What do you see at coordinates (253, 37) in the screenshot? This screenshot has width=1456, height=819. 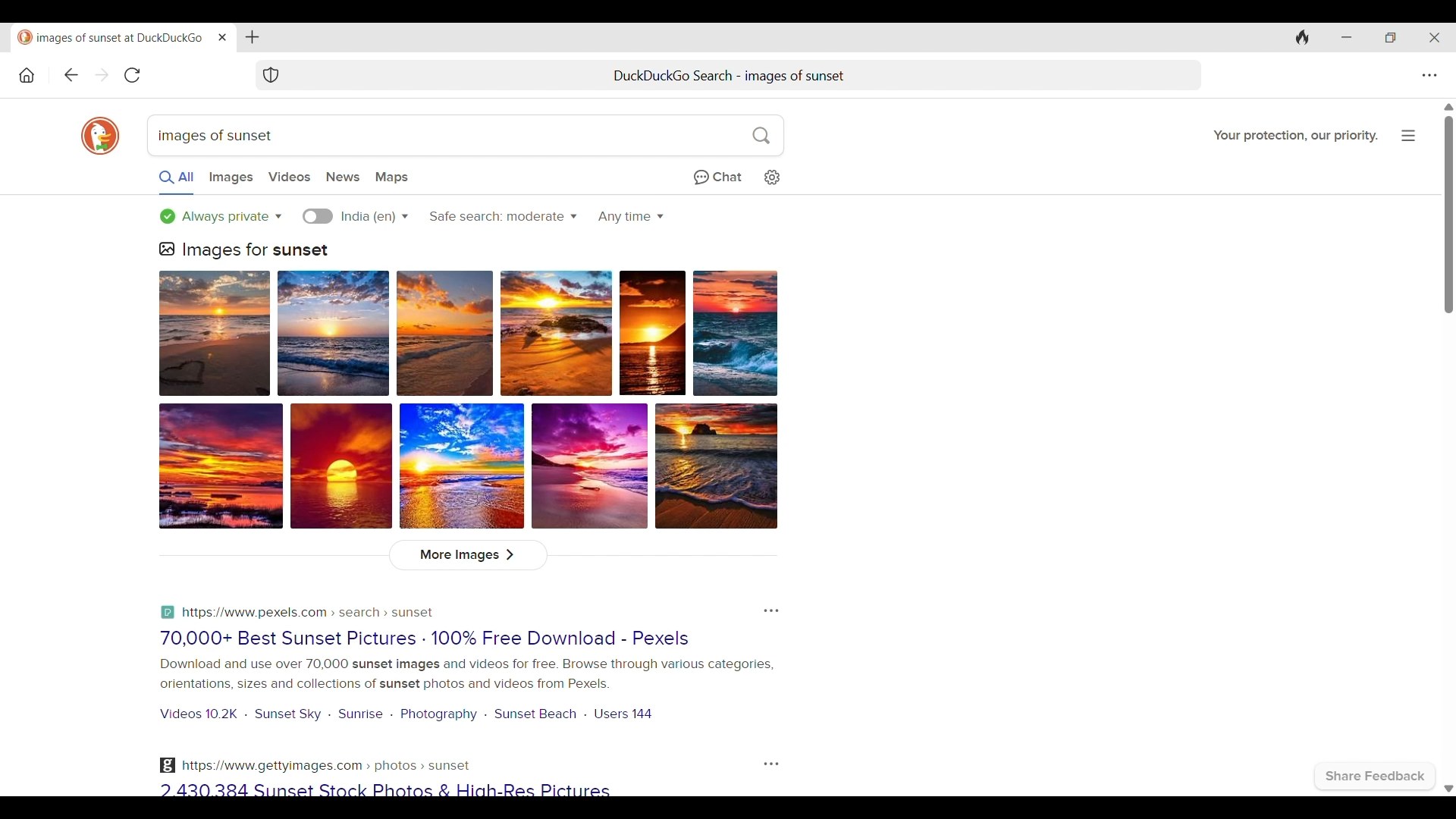 I see `Add new tab` at bounding box center [253, 37].